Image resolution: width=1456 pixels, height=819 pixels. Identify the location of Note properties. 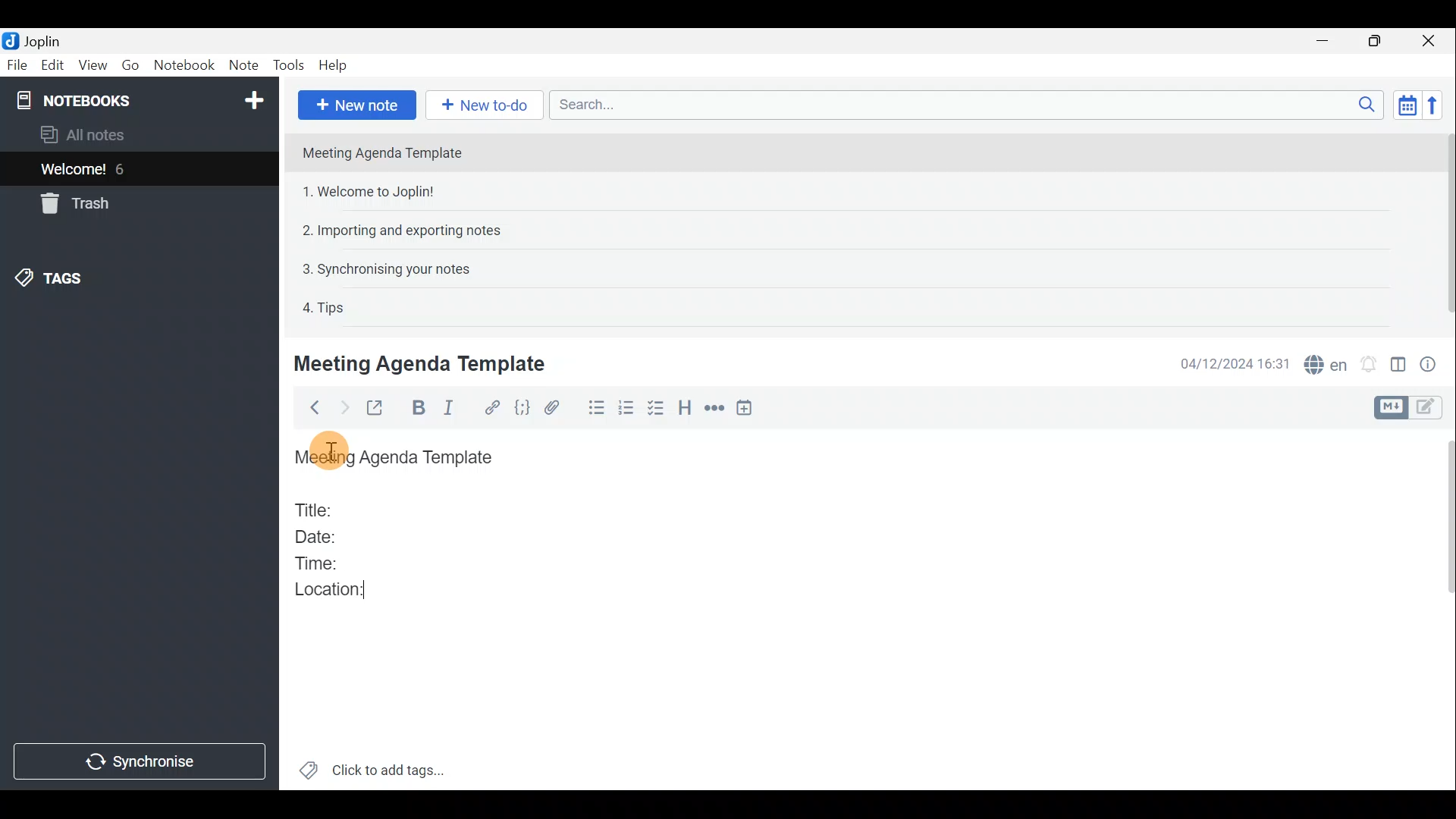
(1433, 363).